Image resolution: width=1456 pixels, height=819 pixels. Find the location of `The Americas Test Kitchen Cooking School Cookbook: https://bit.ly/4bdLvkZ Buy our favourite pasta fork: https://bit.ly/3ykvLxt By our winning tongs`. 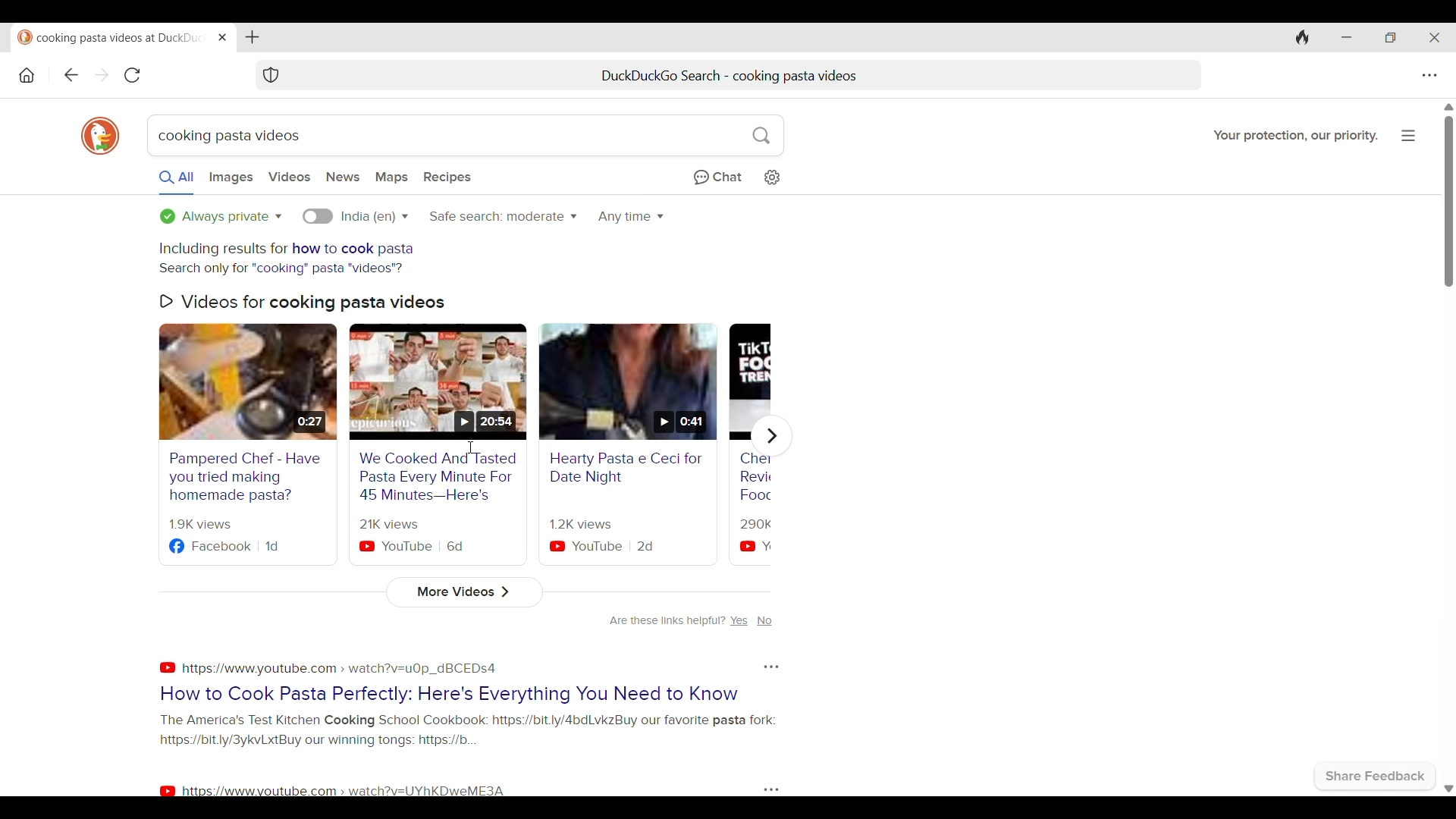

The Americas Test Kitchen Cooking School Cookbook: https://bit.ly/4bdLvkZ Buy our favourite pasta fork: https://bit.ly/3ykvLxt By our winning tongs is located at coordinates (468, 731).